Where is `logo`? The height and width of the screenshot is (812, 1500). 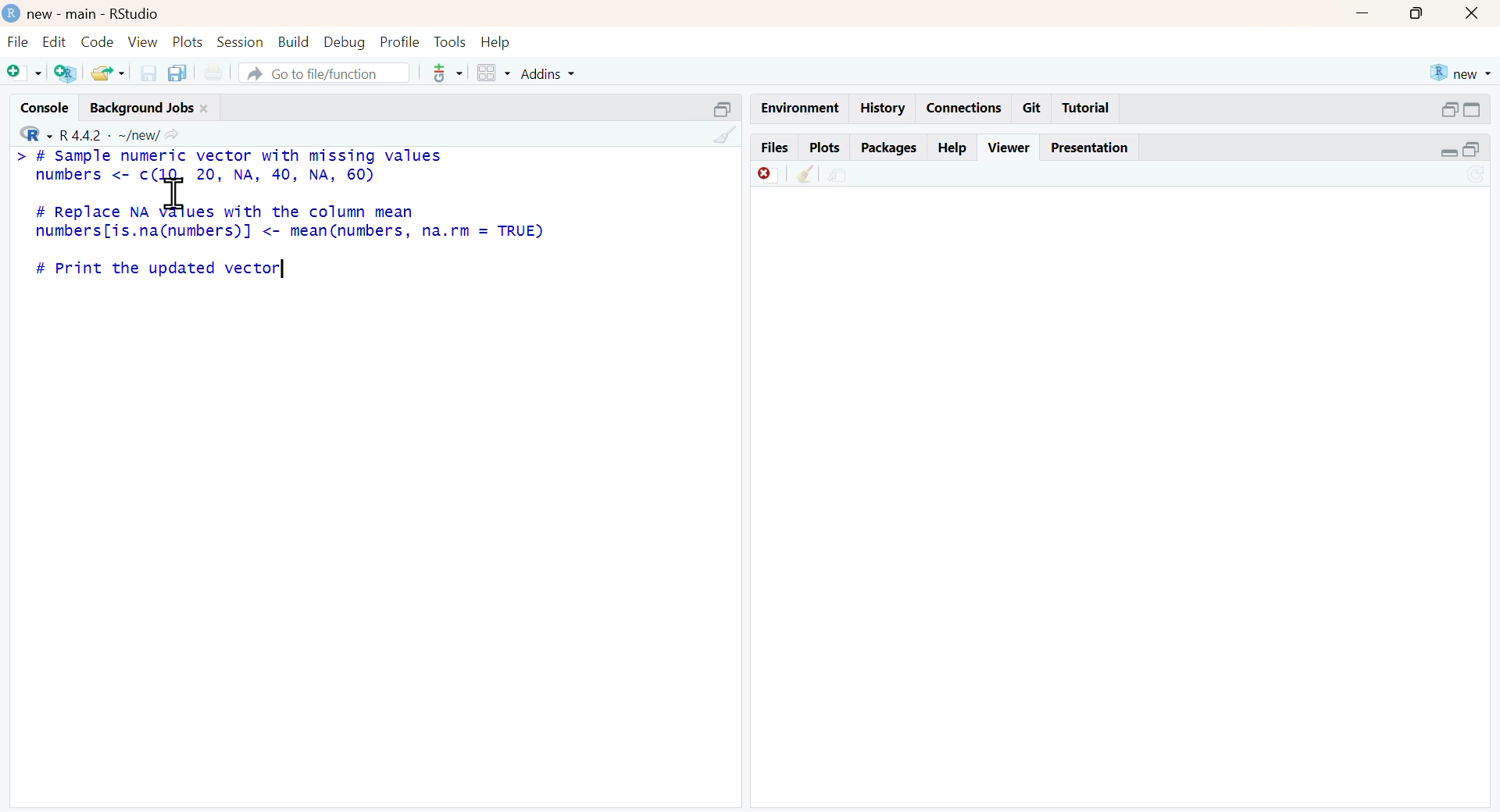
logo is located at coordinates (12, 13).